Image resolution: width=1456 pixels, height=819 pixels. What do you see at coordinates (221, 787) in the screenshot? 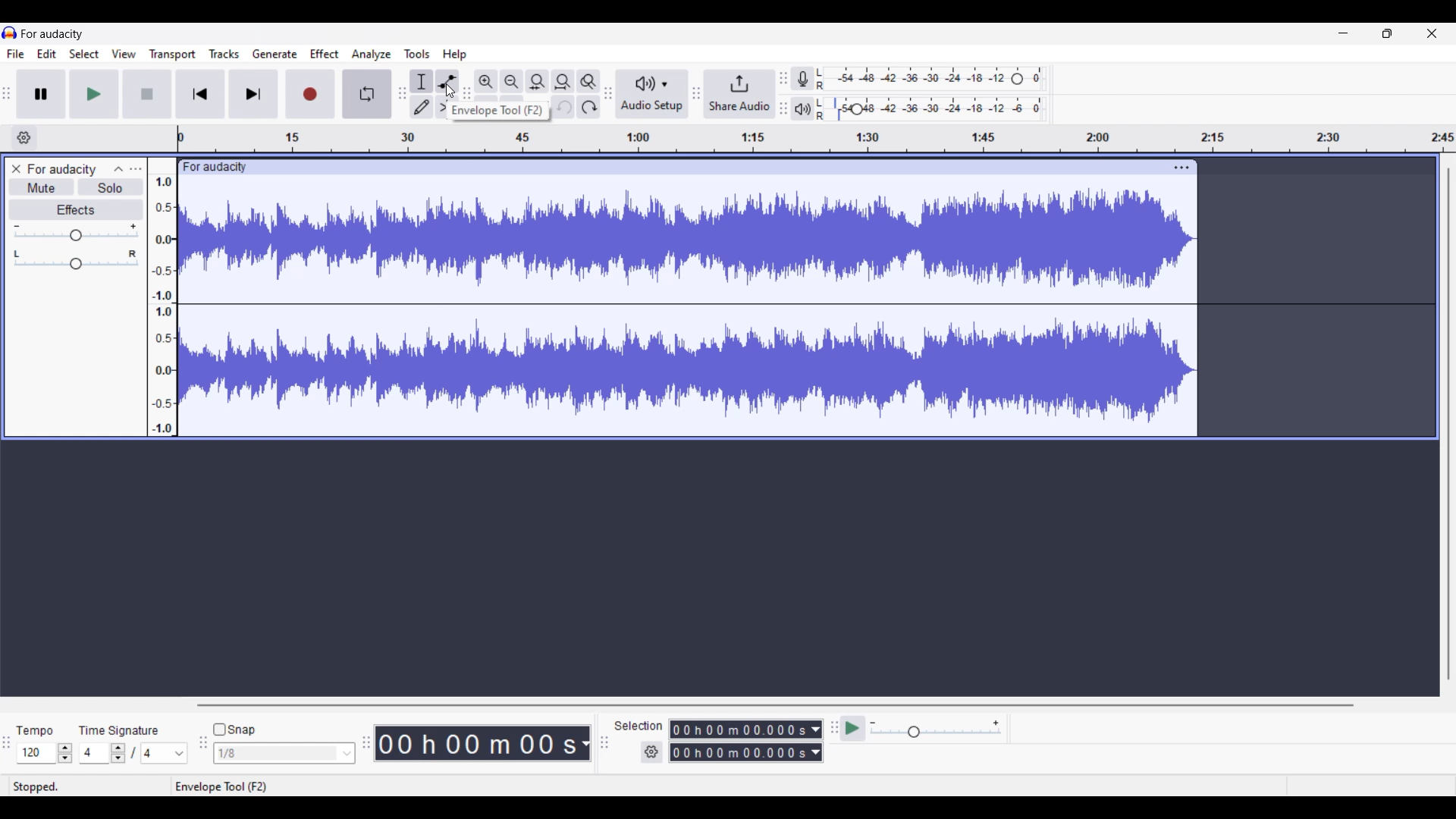
I see `enveloop tool (F2)` at bounding box center [221, 787].